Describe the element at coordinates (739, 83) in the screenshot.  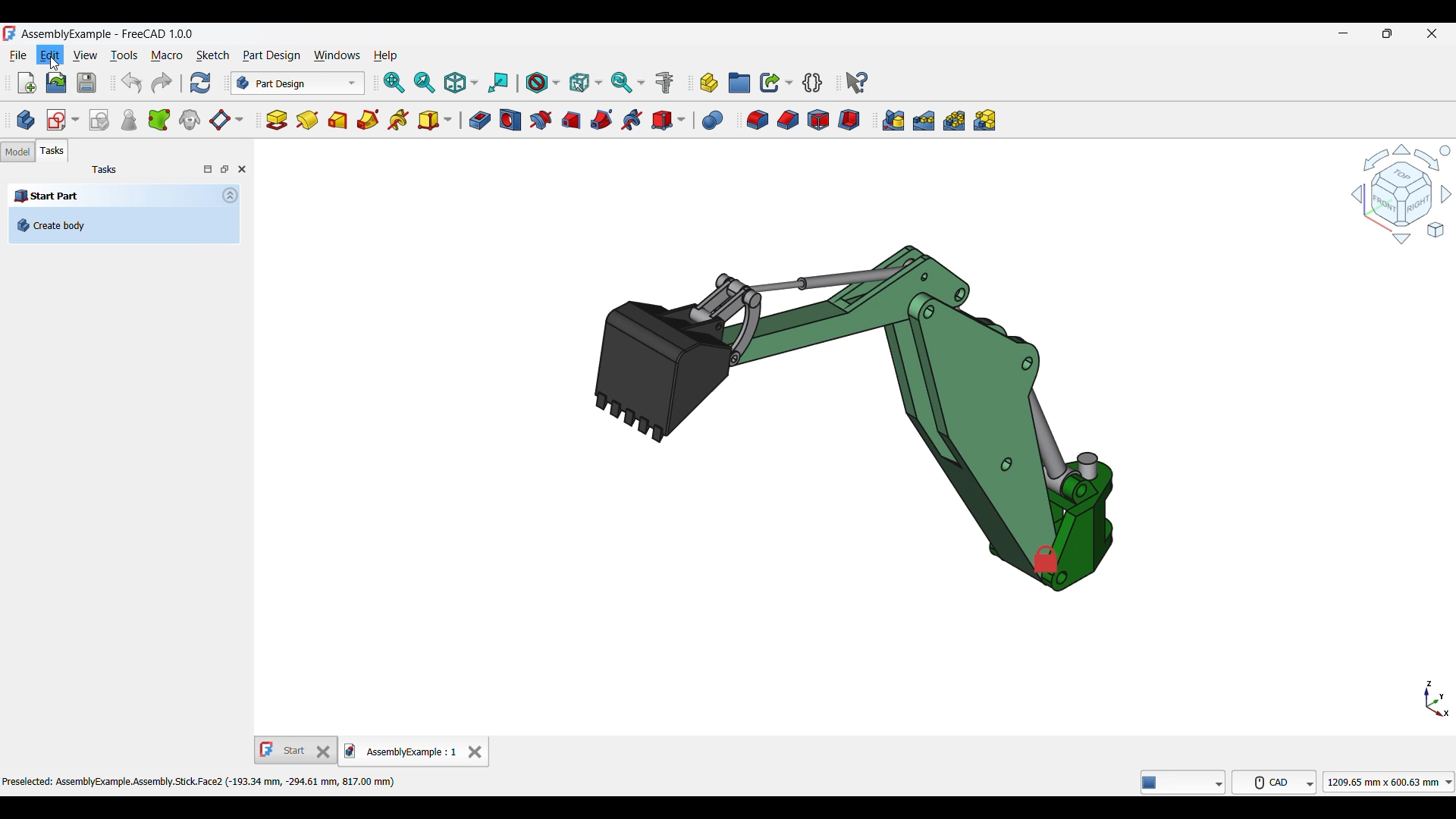
I see `Create group` at that location.